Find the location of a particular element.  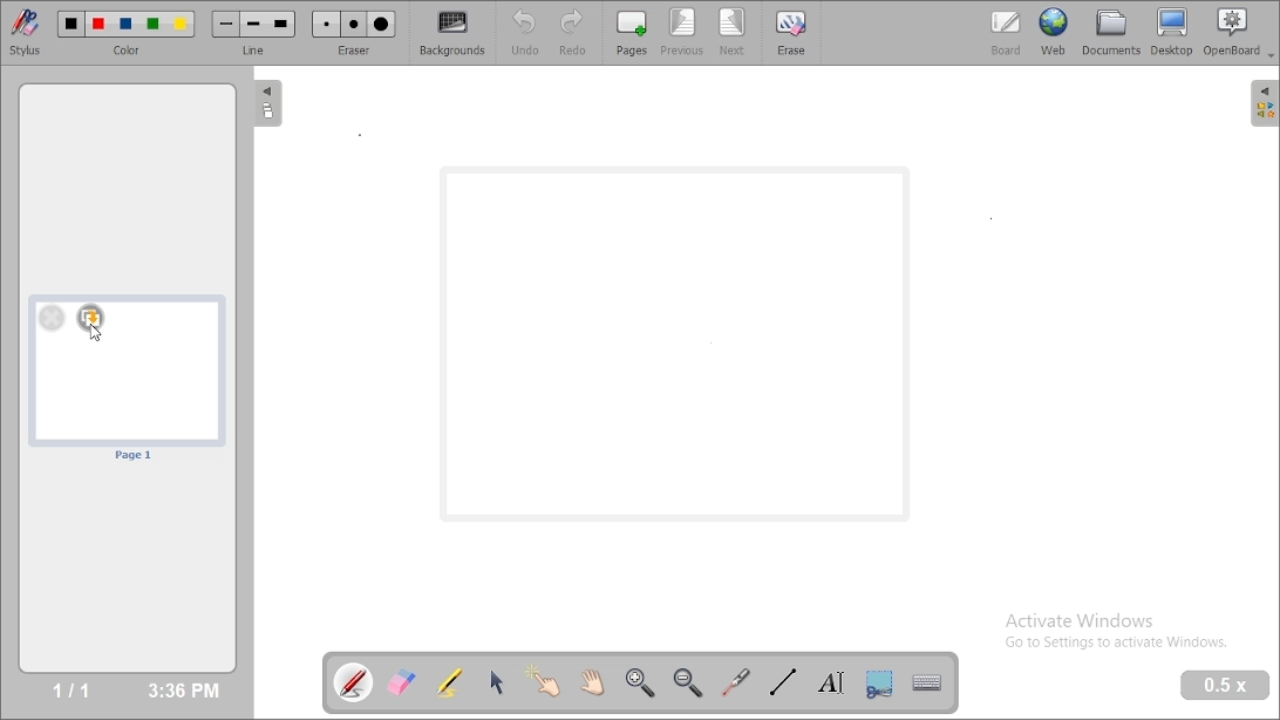

Color 5 is located at coordinates (181, 24).